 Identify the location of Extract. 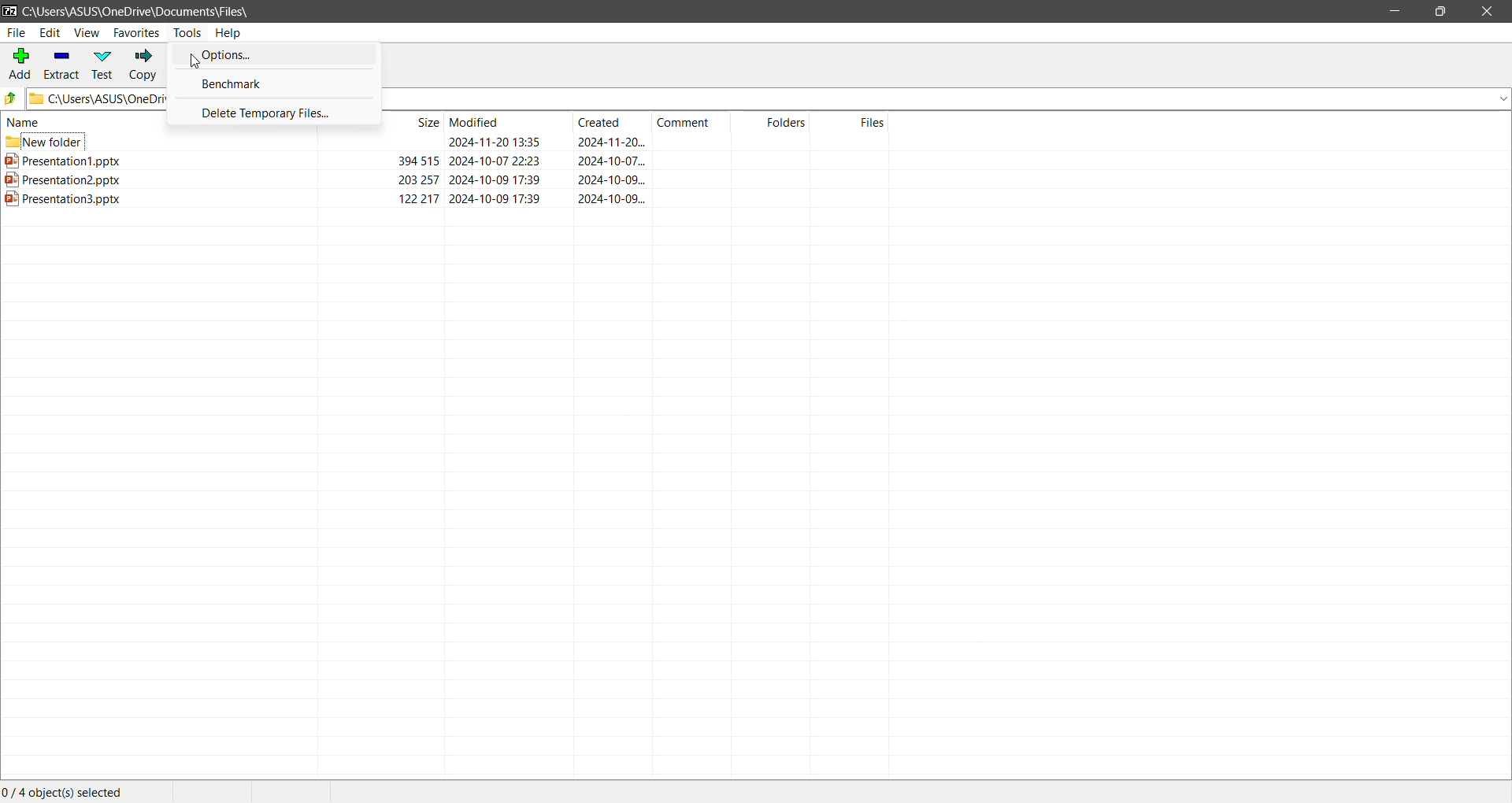
(62, 65).